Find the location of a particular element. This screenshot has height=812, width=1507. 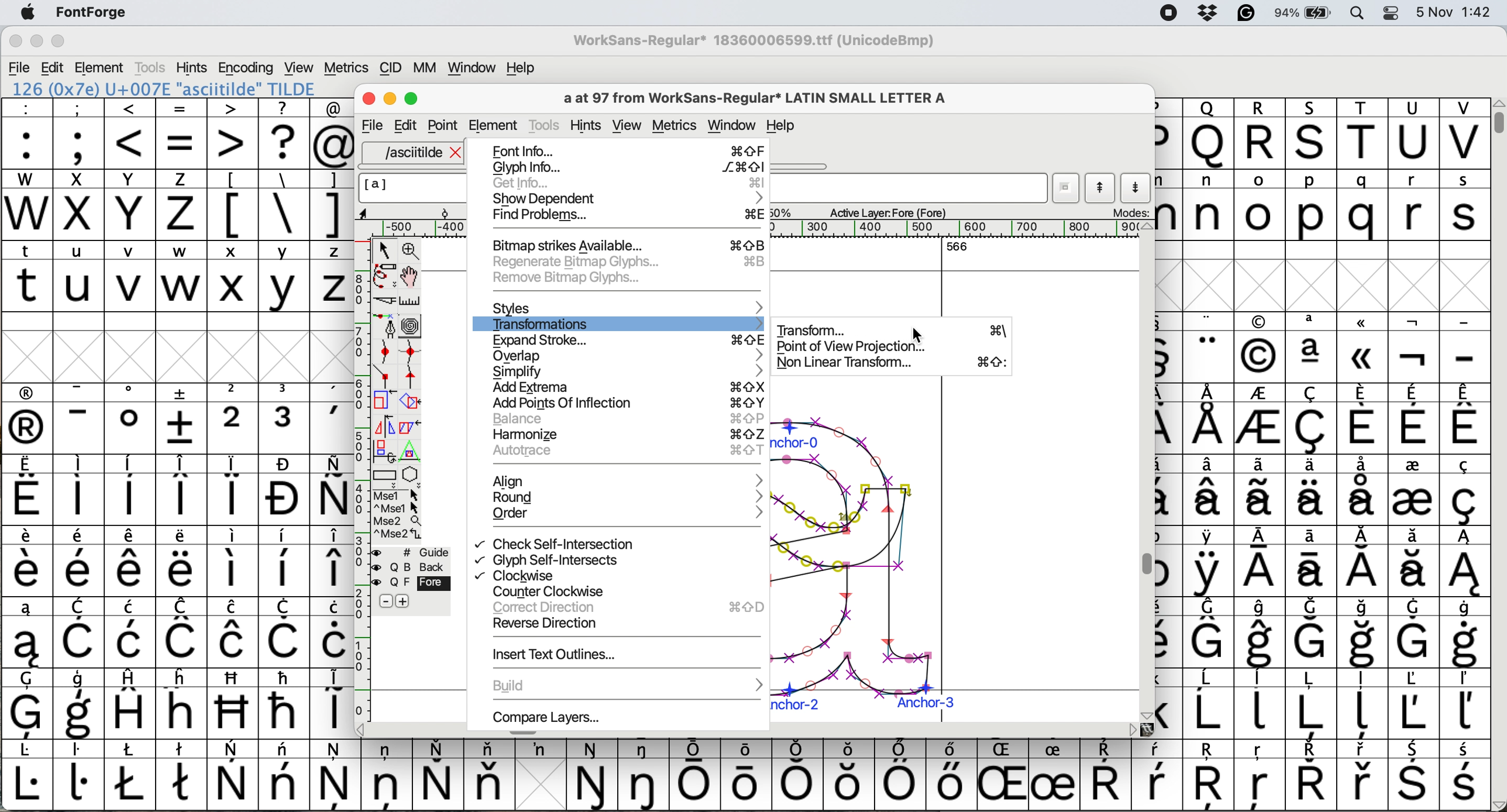

symbol is located at coordinates (1315, 489).